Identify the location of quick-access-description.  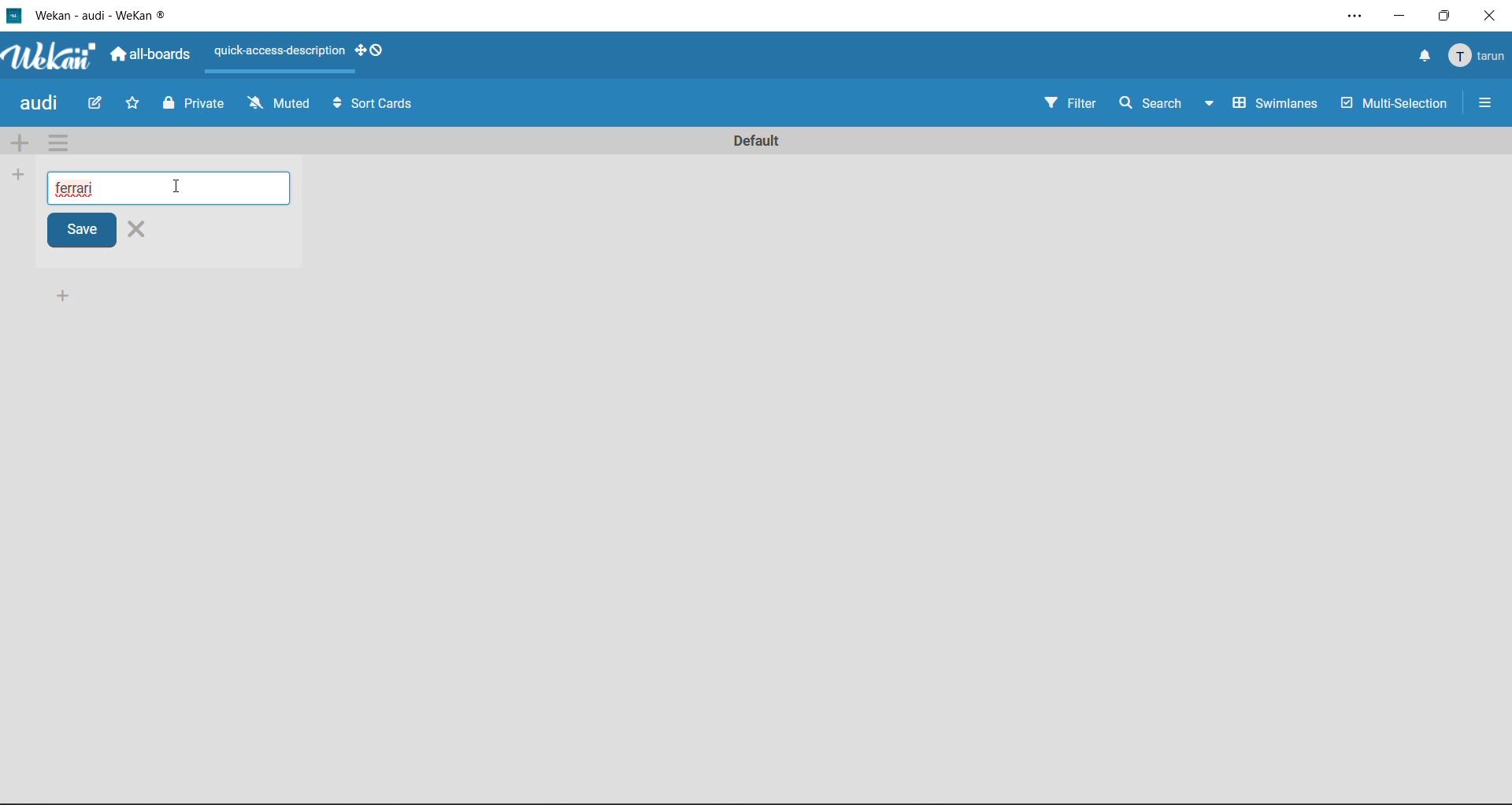
(277, 51).